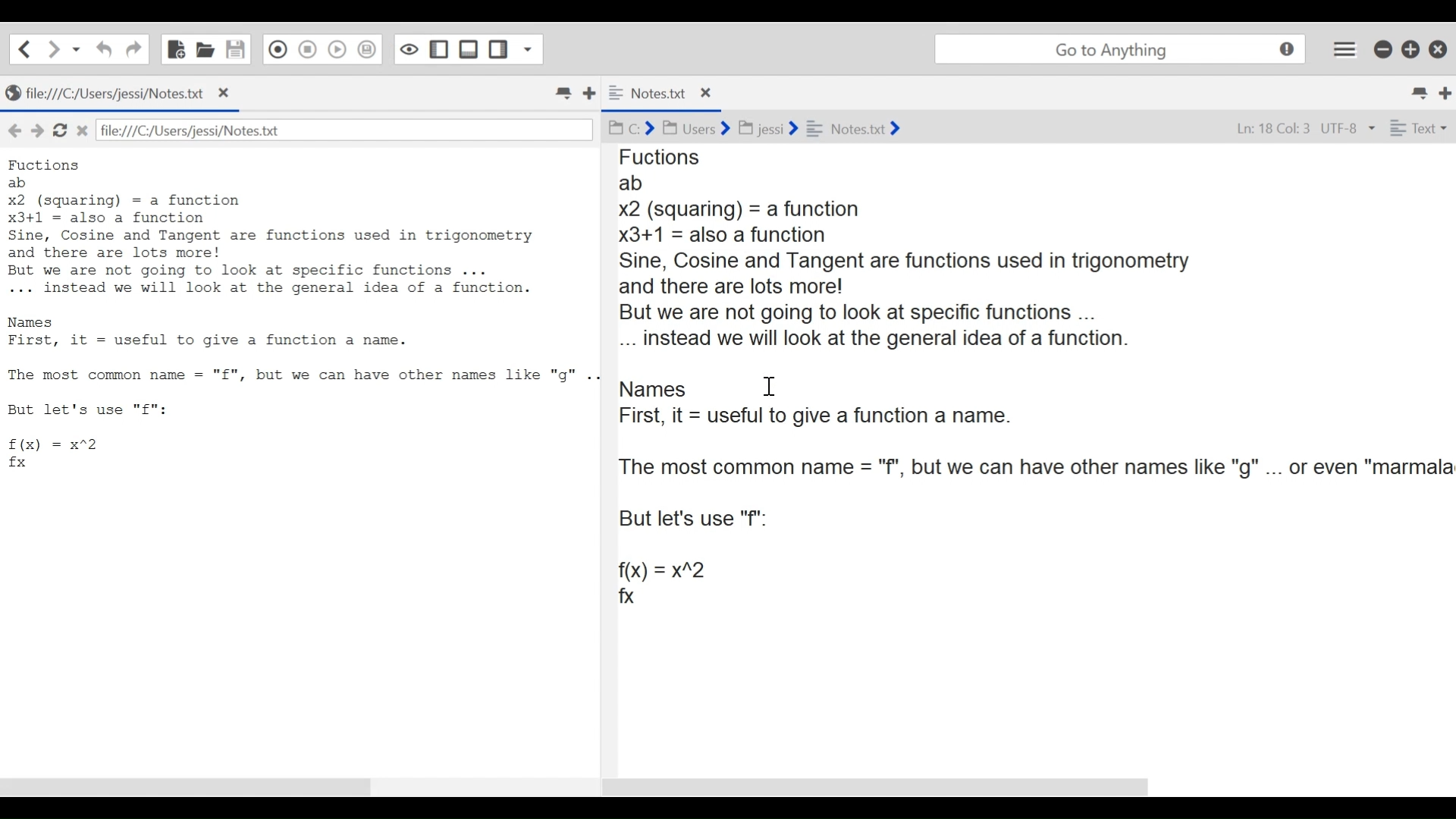  Describe the element at coordinates (336, 50) in the screenshot. I see `Play last Macro` at that location.